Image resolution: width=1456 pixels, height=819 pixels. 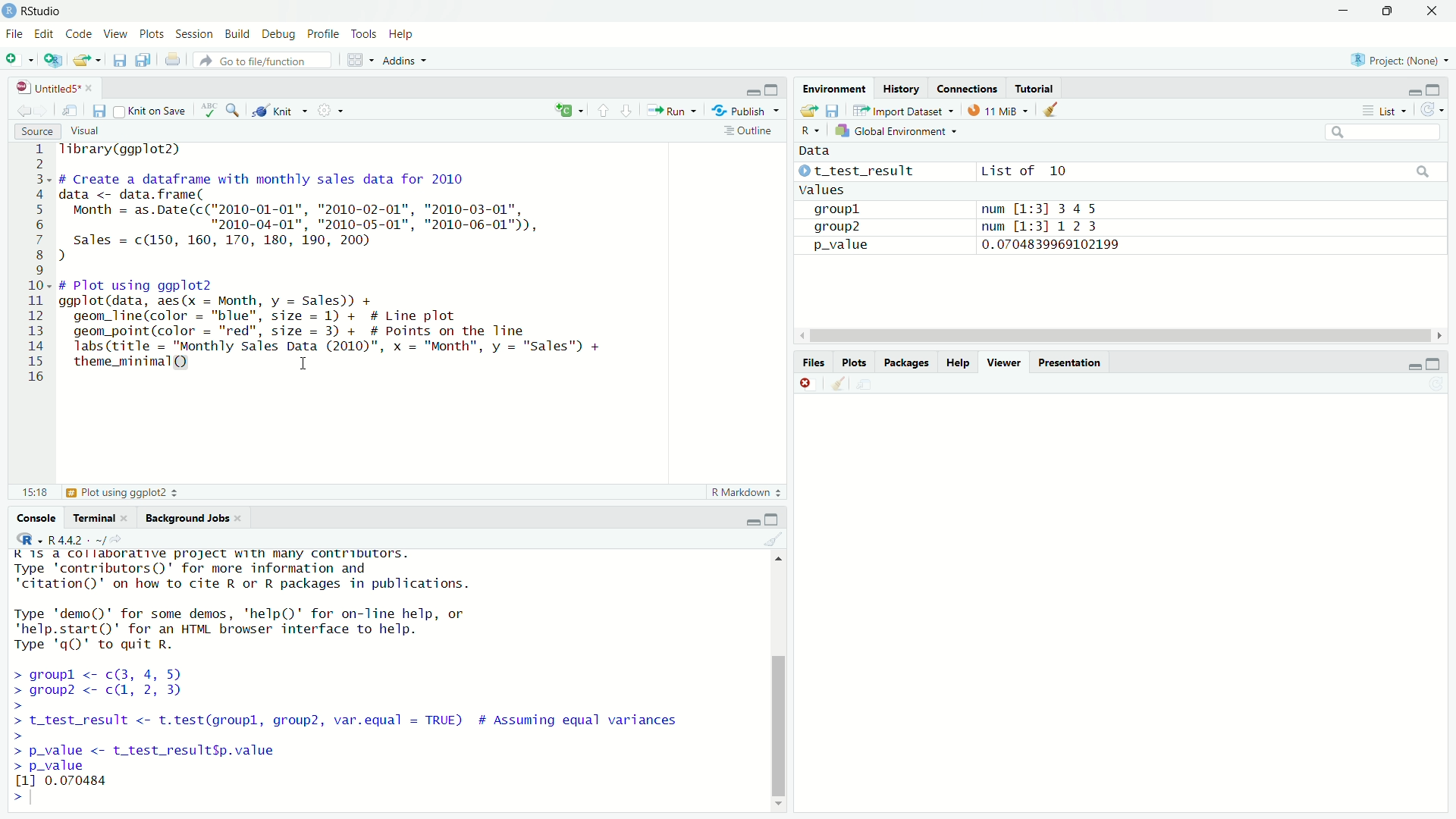 What do you see at coordinates (752, 522) in the screenshot?
I see `minimise` at bounding box center [752, 522].